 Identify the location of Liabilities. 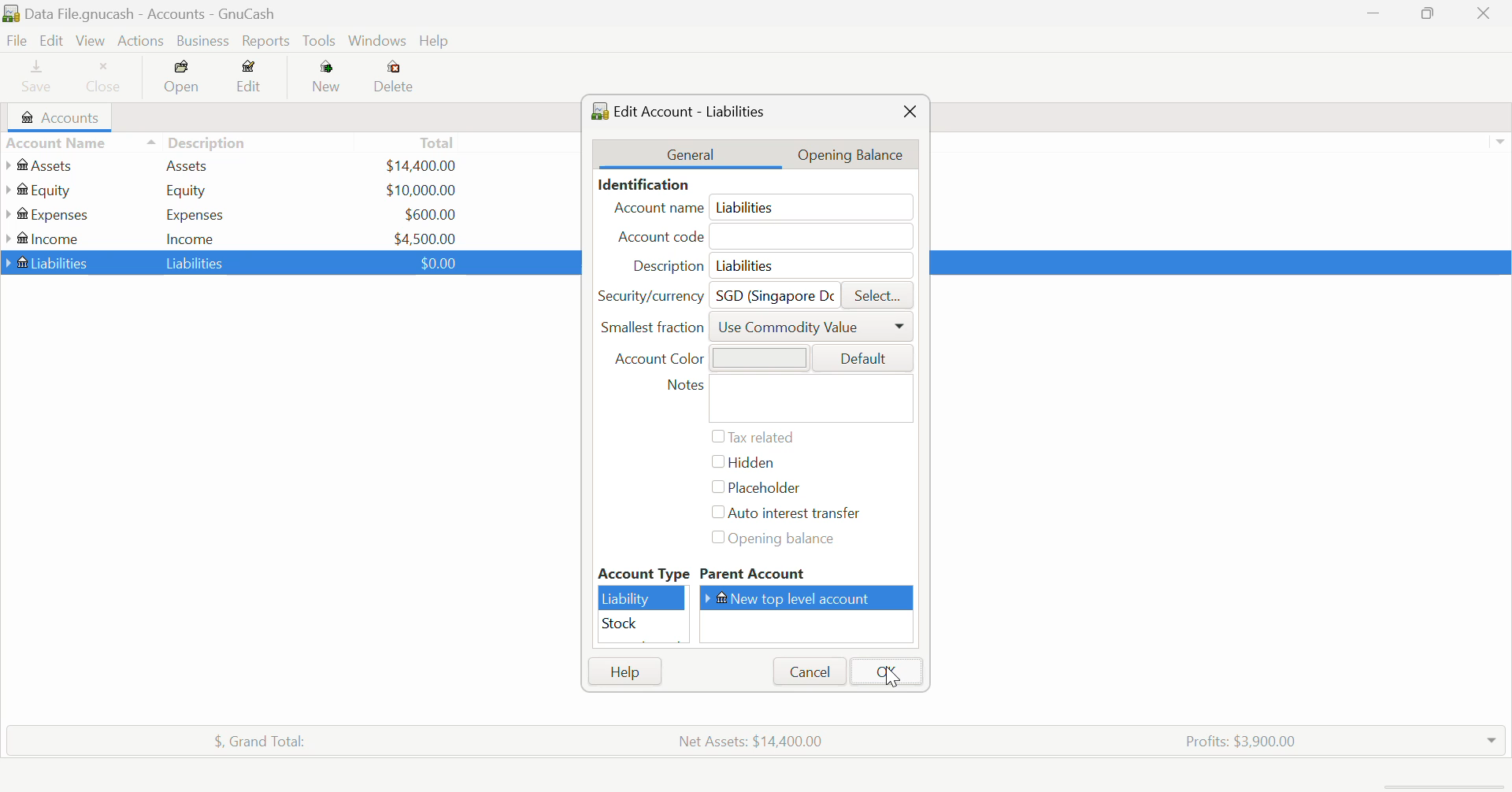
(197, 262).